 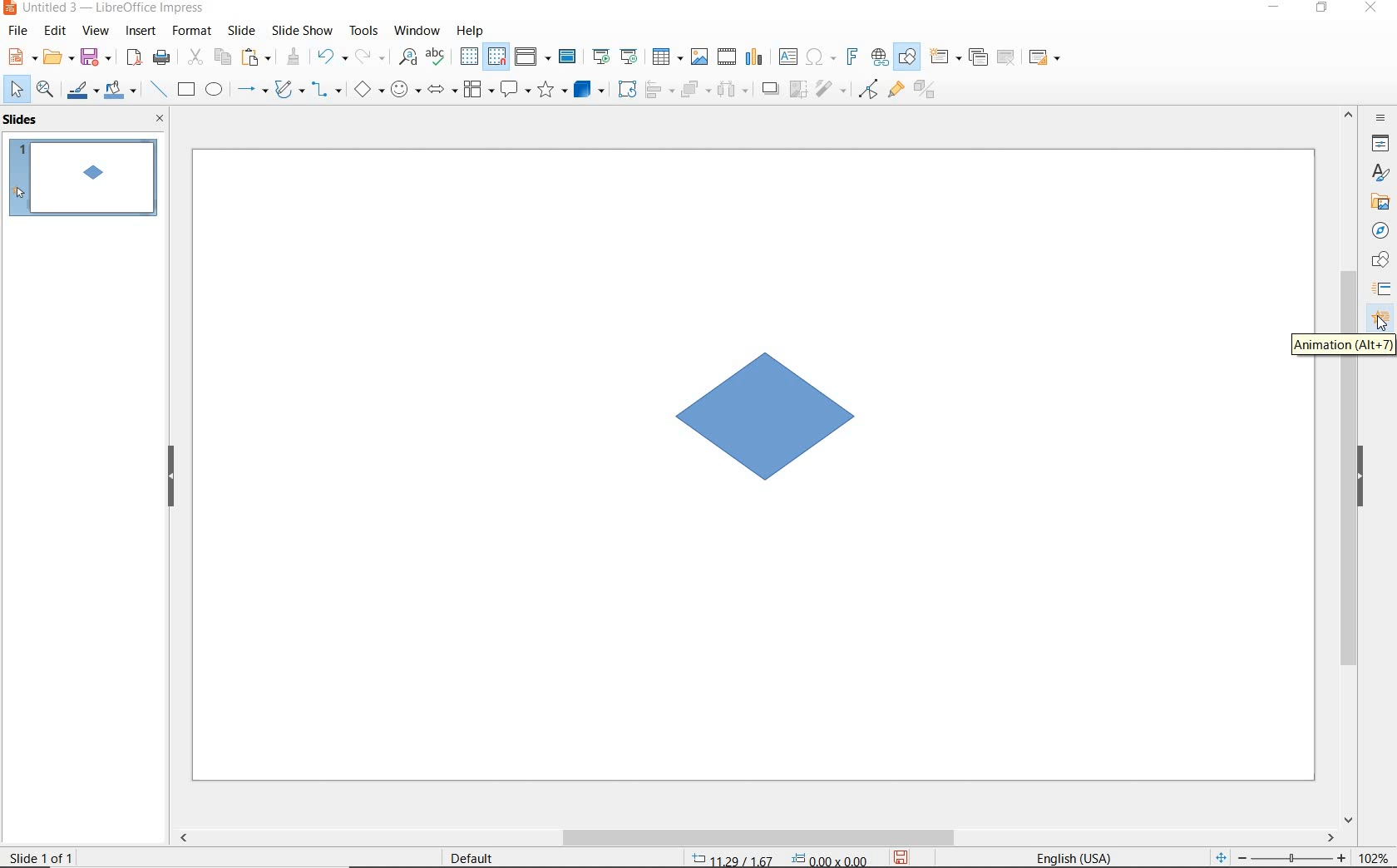 What do you see at coordinates (669, 57) in the screenshot?
I see `table` at bounding box center [669, 57].